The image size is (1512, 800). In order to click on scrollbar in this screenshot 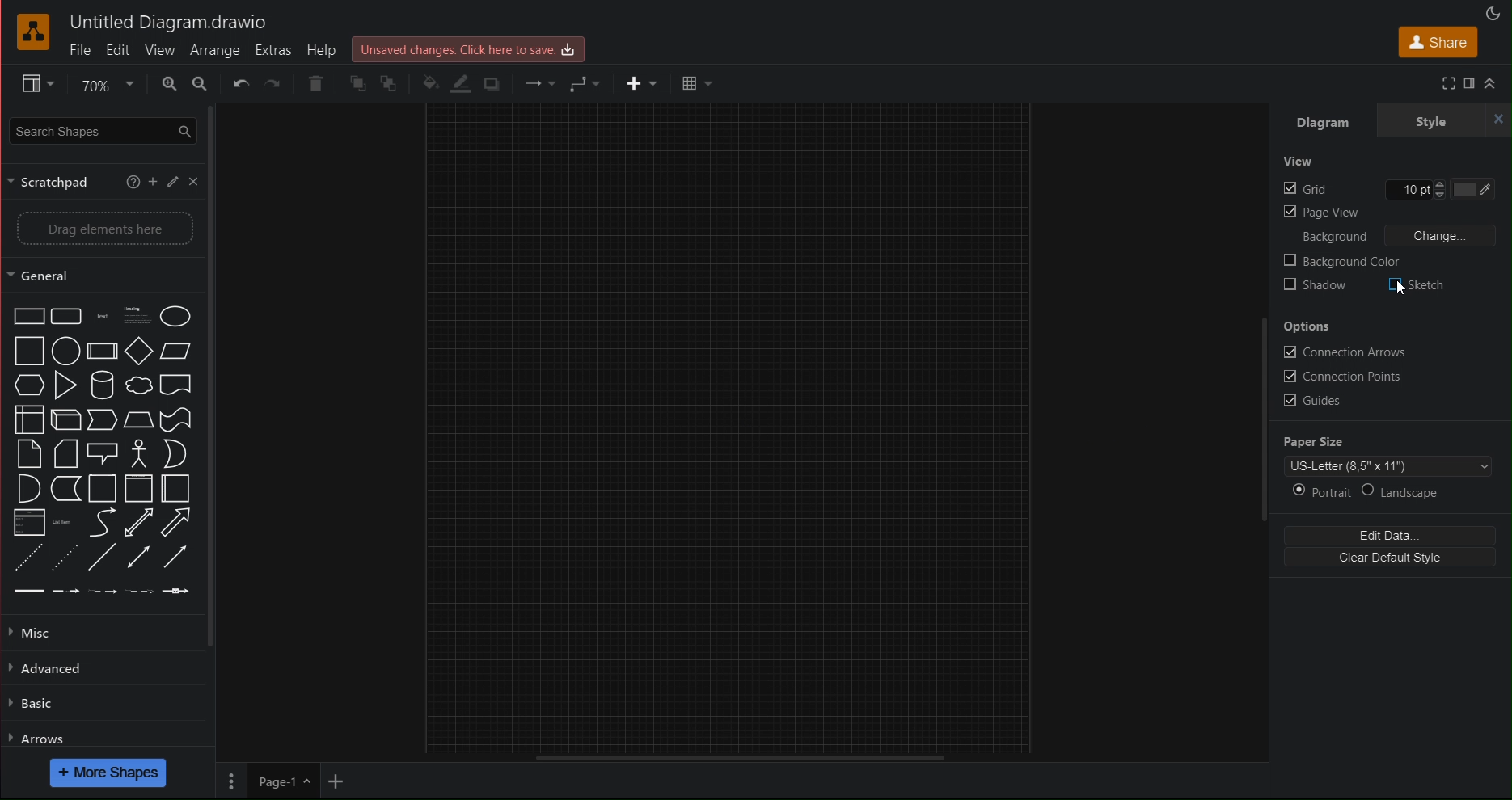, I will do `click(218, 376)`.